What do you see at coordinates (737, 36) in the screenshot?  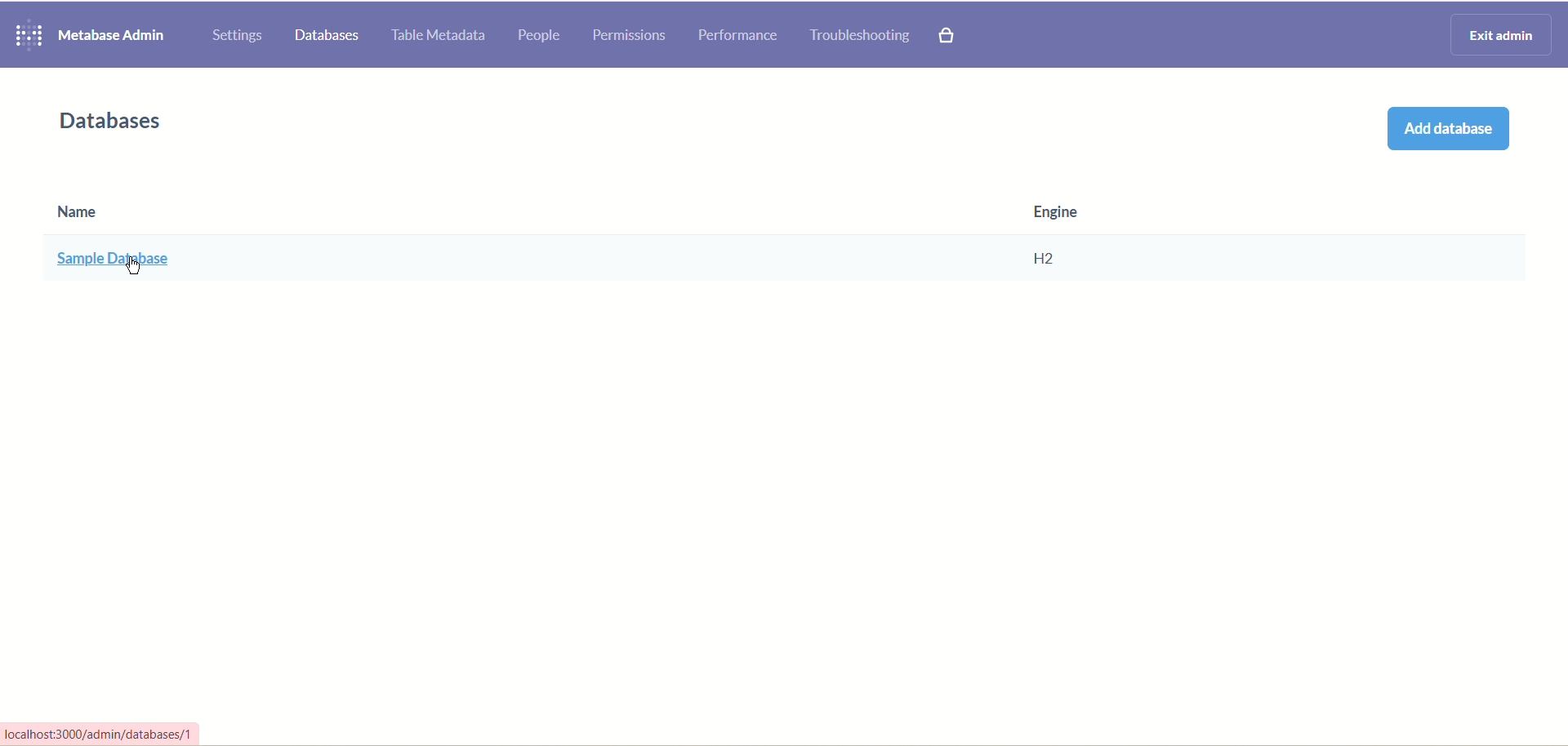 I see `performance` at bounding box center [737, 36].